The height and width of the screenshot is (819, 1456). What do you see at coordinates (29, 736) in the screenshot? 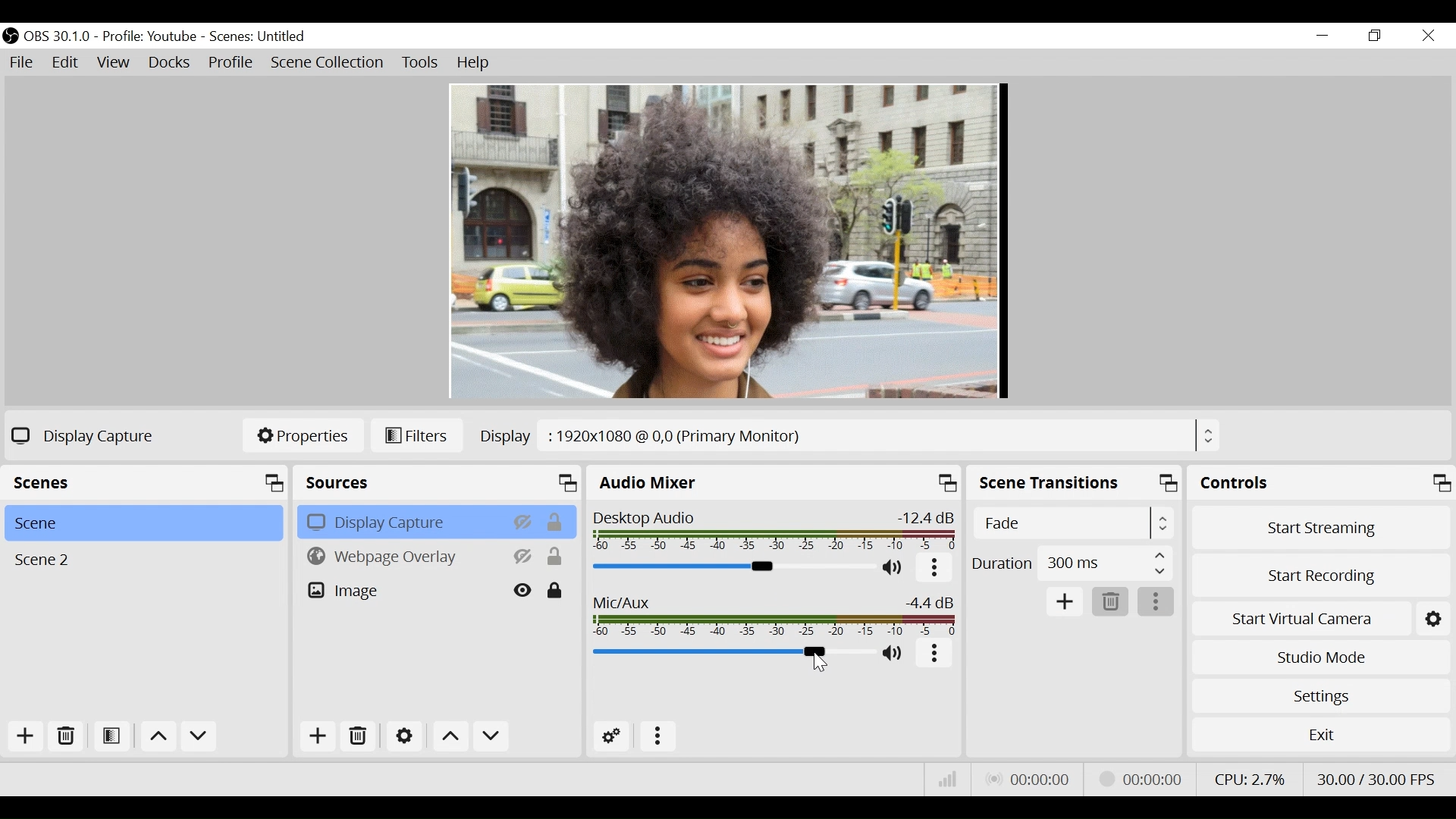
I see `Add` at bounding box center [29, 736].